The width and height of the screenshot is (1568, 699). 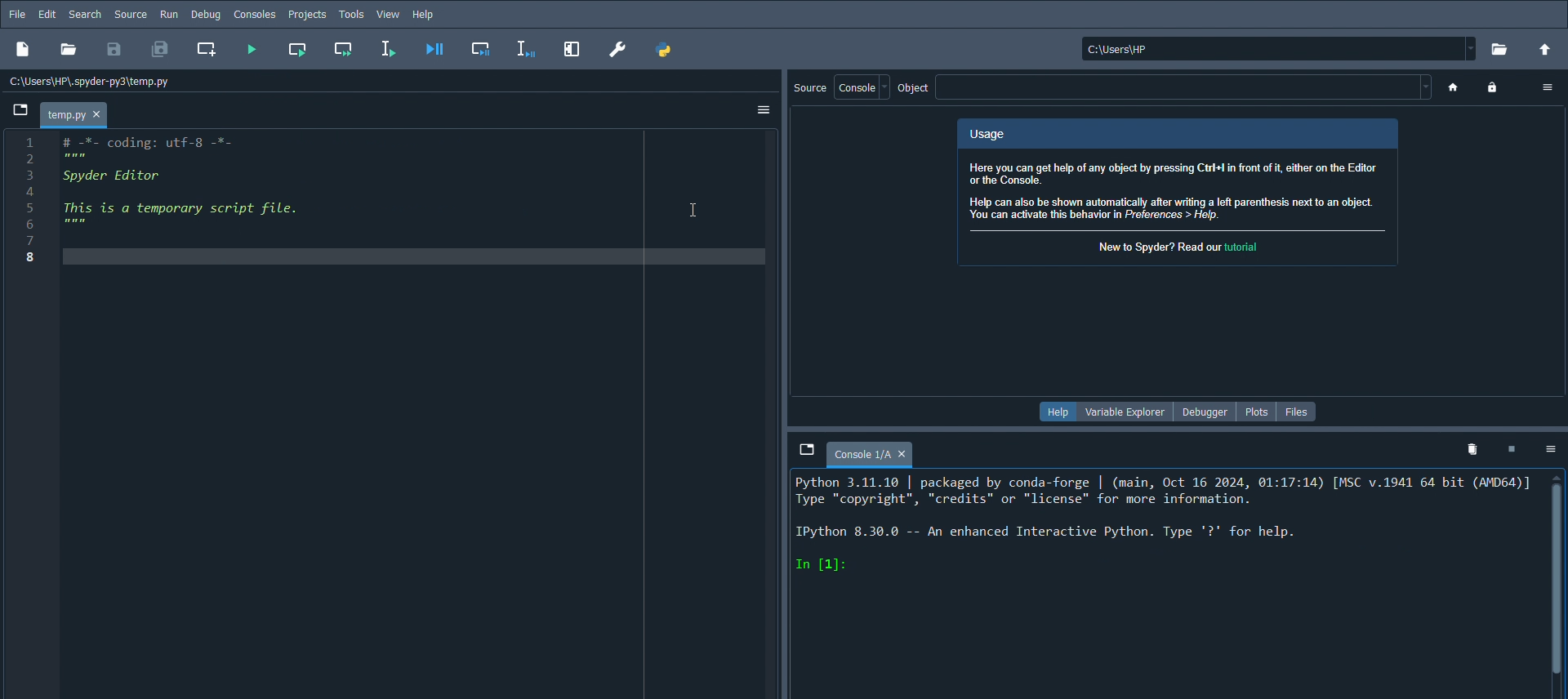 I want to click on consoles, so click(x=254, y=14).